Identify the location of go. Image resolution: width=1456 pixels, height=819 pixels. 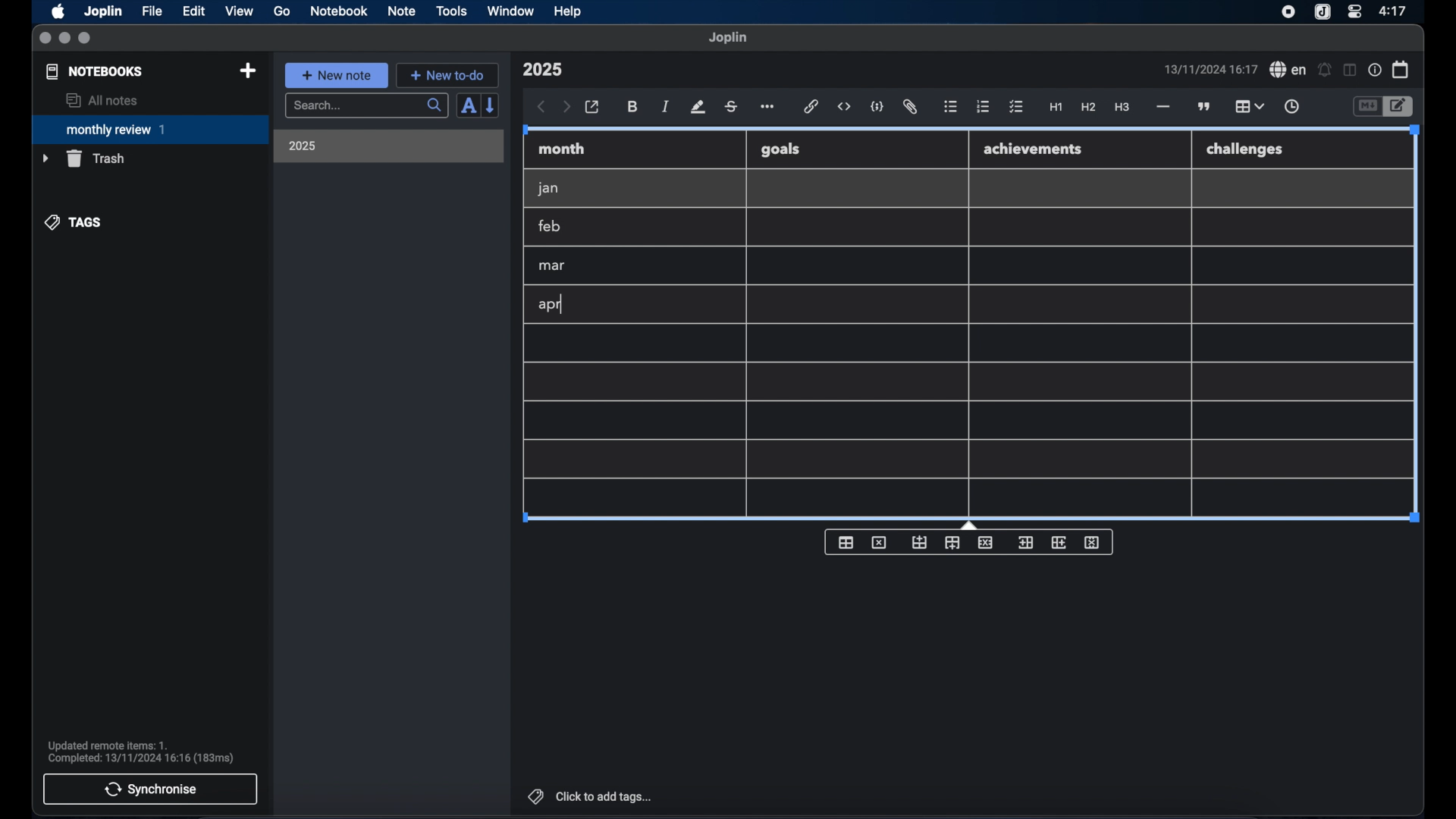
(282, 11).